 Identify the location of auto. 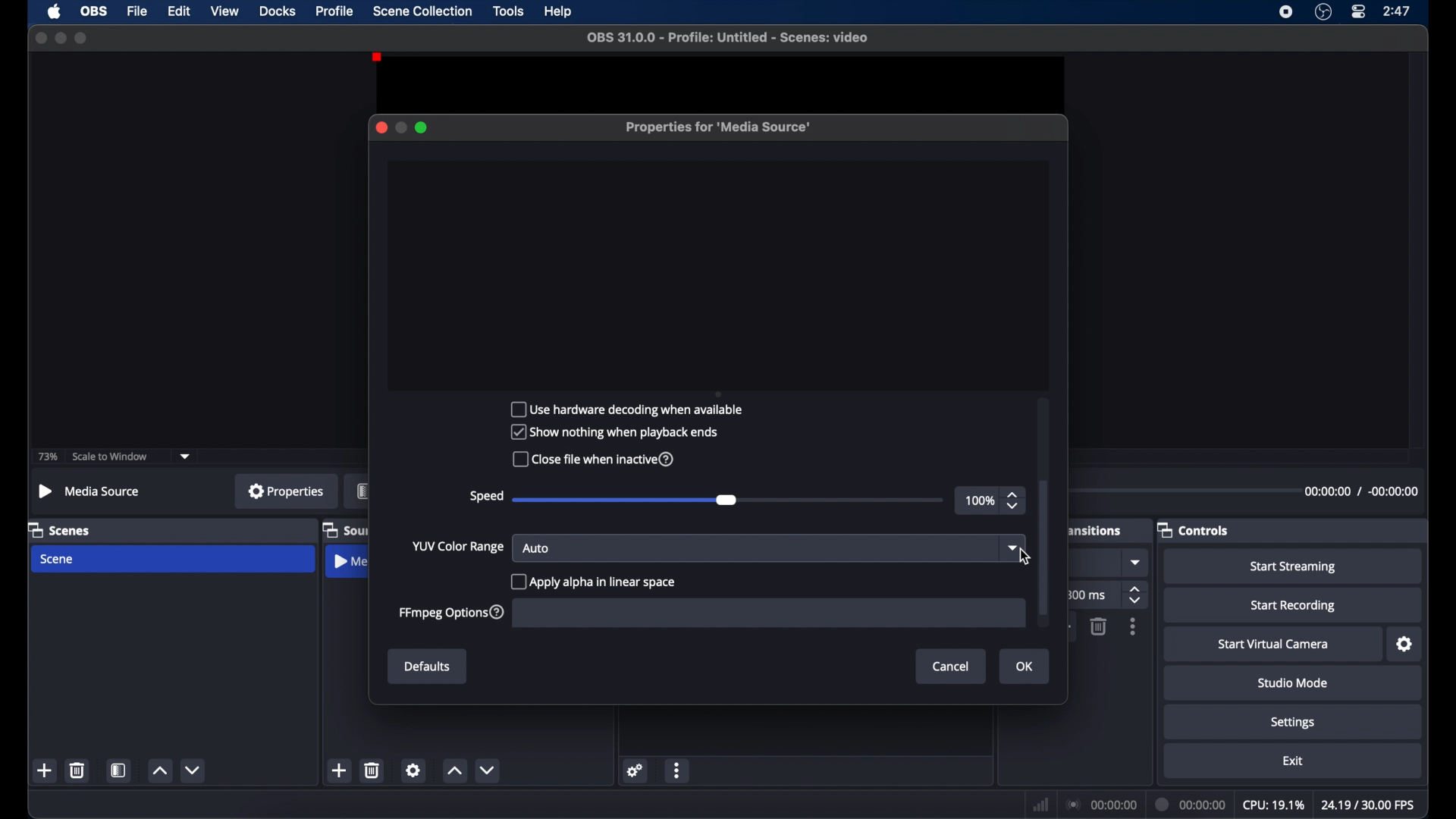
(536, 548).